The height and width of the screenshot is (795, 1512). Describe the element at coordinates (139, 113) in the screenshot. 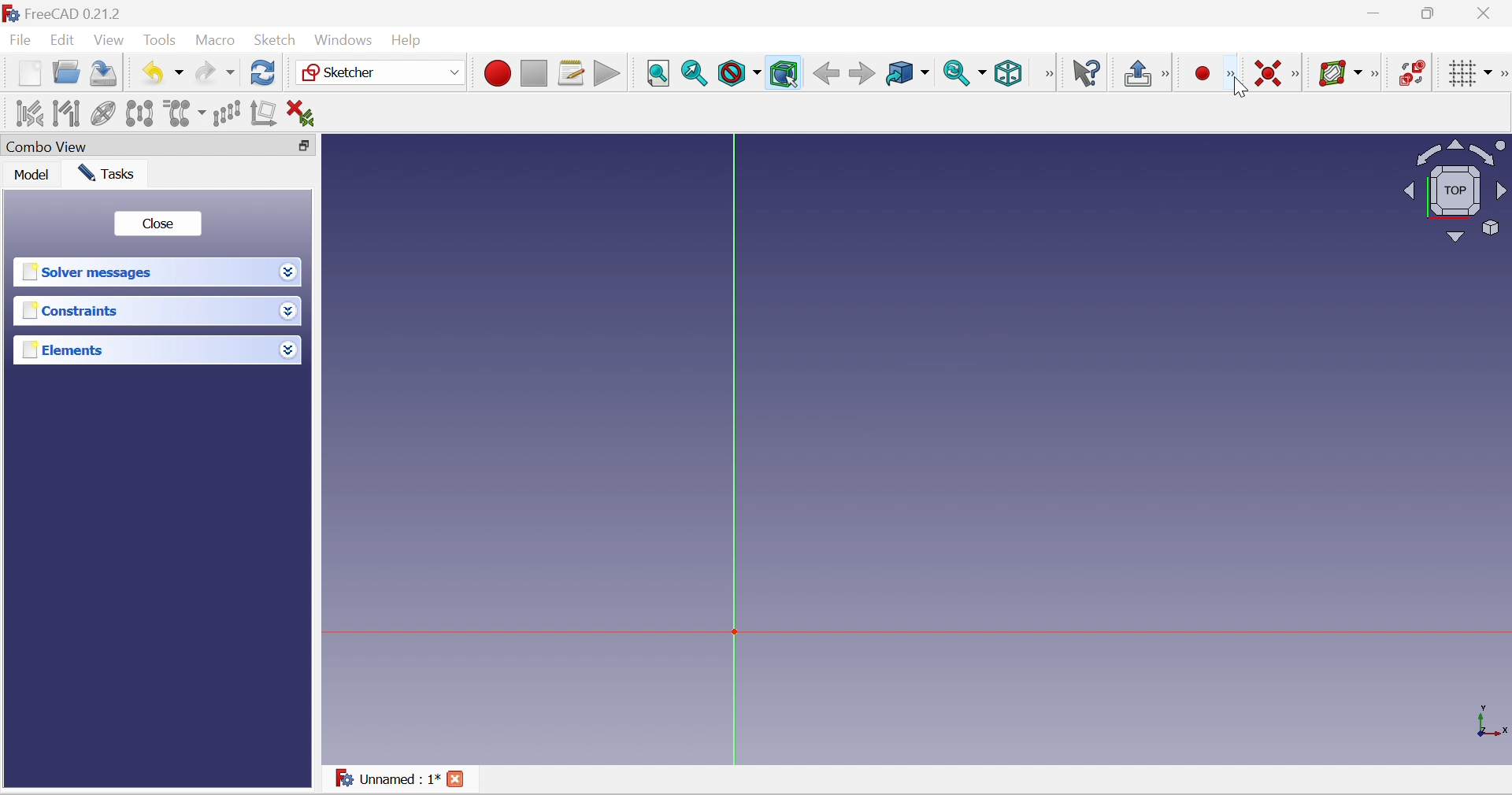

I see `Symmetry` at that location.